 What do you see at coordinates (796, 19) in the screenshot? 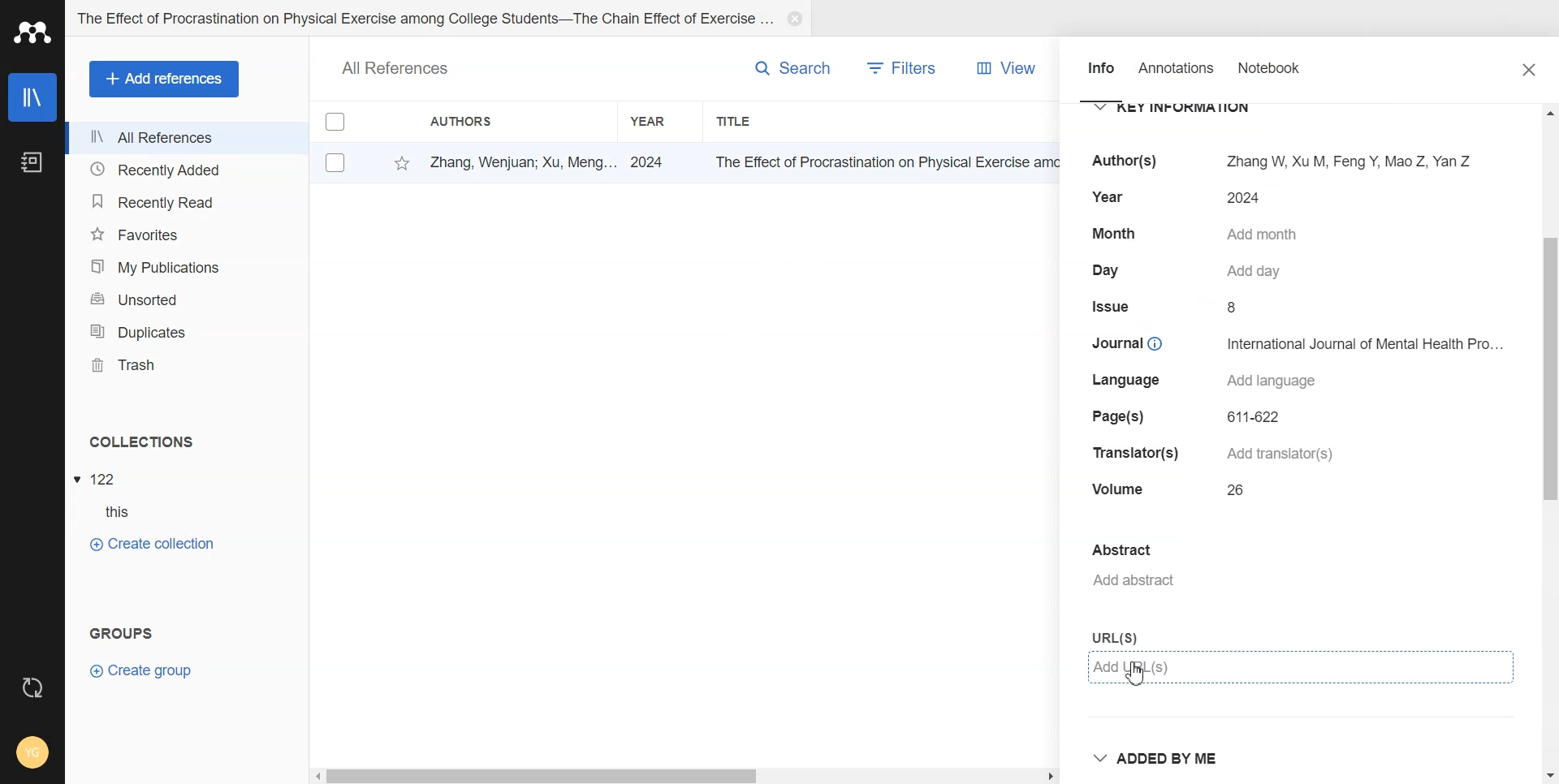
I see `Close` at bounding box center [796, 19].